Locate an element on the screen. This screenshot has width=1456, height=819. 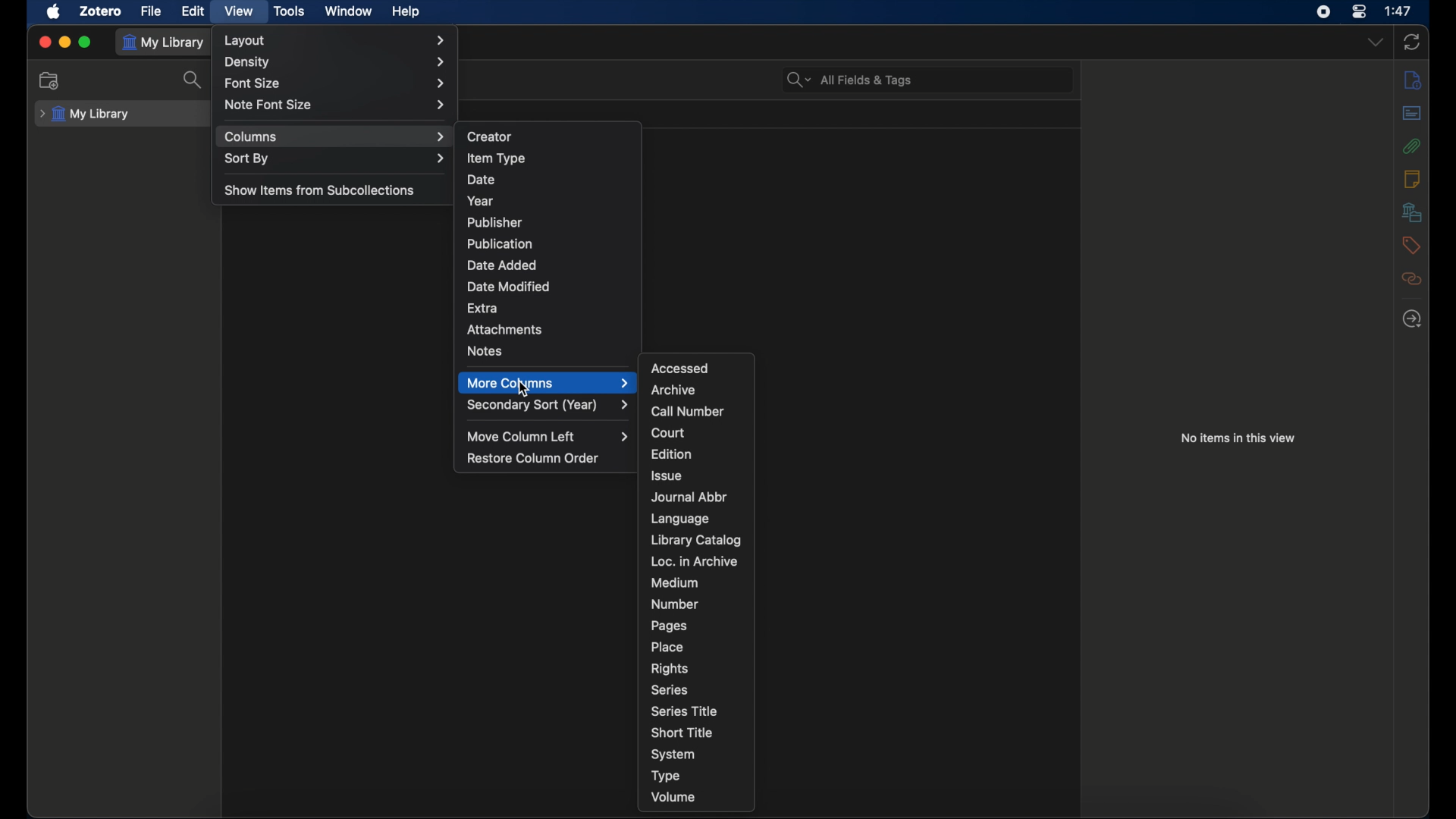
series is located at coordinates (670, 690).